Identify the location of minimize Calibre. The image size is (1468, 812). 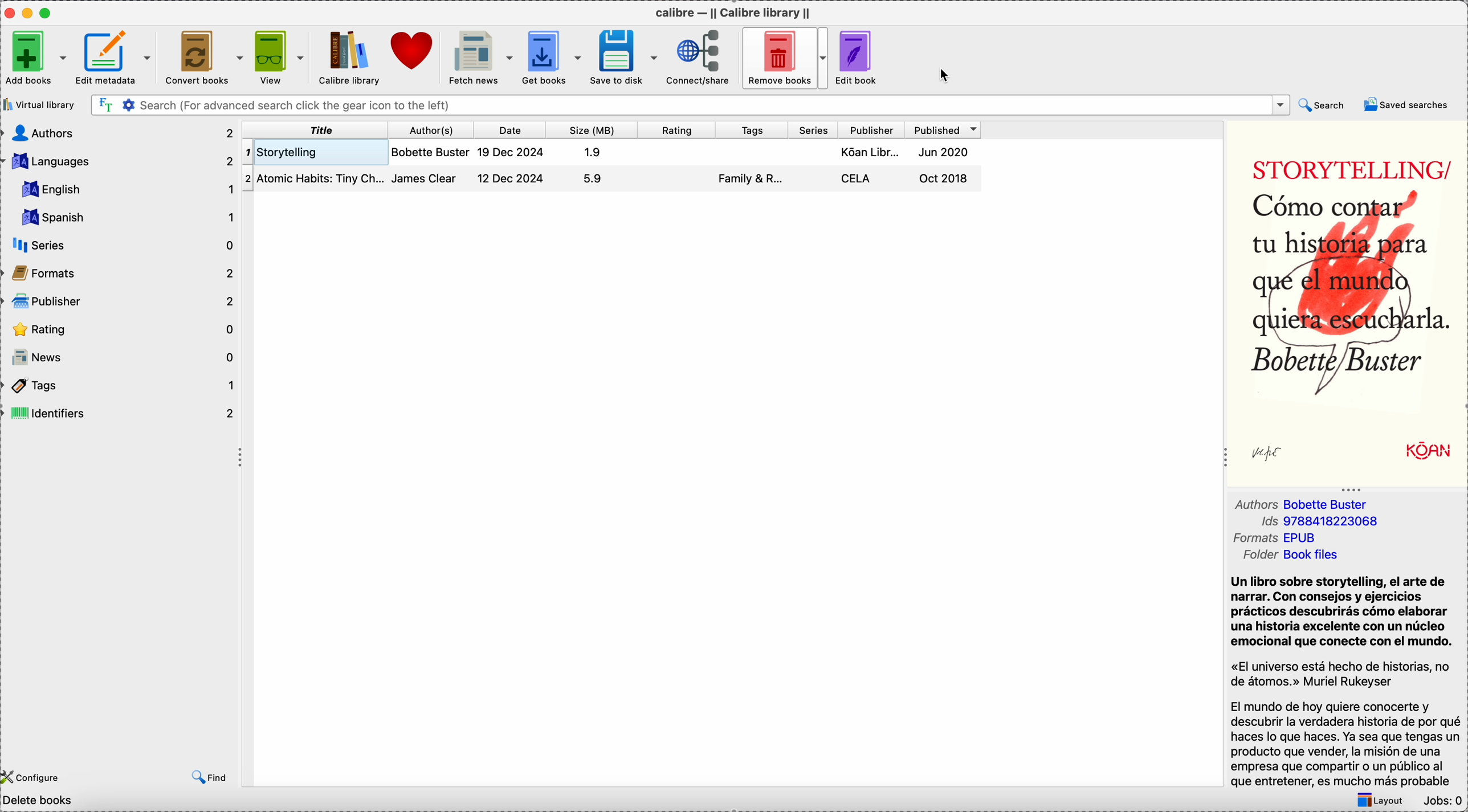
(28, 13).